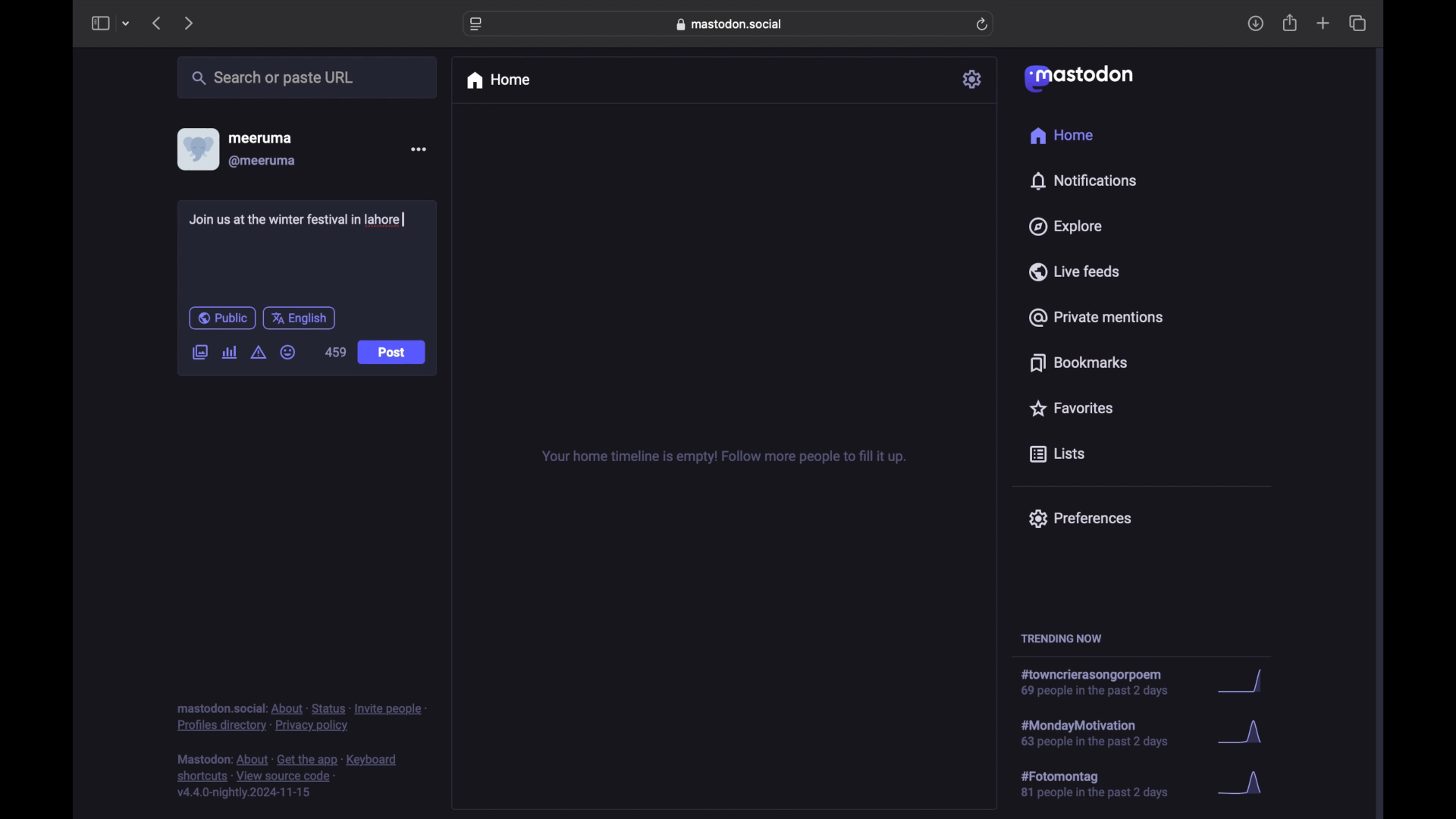  I want to click on share, so click(1291, 24).